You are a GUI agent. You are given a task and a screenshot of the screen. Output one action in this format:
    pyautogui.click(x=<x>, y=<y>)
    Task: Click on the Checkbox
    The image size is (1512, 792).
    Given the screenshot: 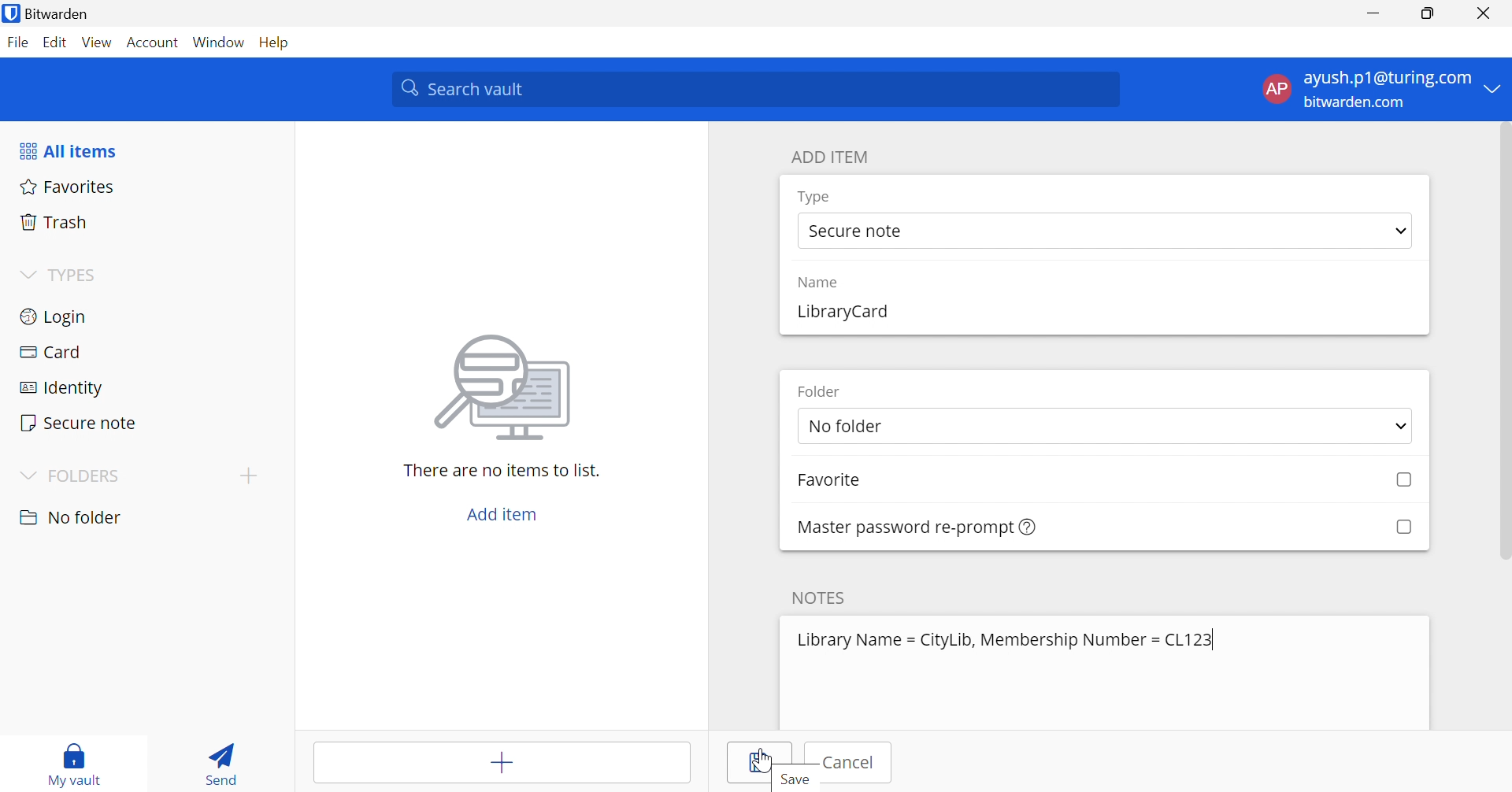 What is the action you would take?
    pyautogui.click(x=1405, y=482)
    